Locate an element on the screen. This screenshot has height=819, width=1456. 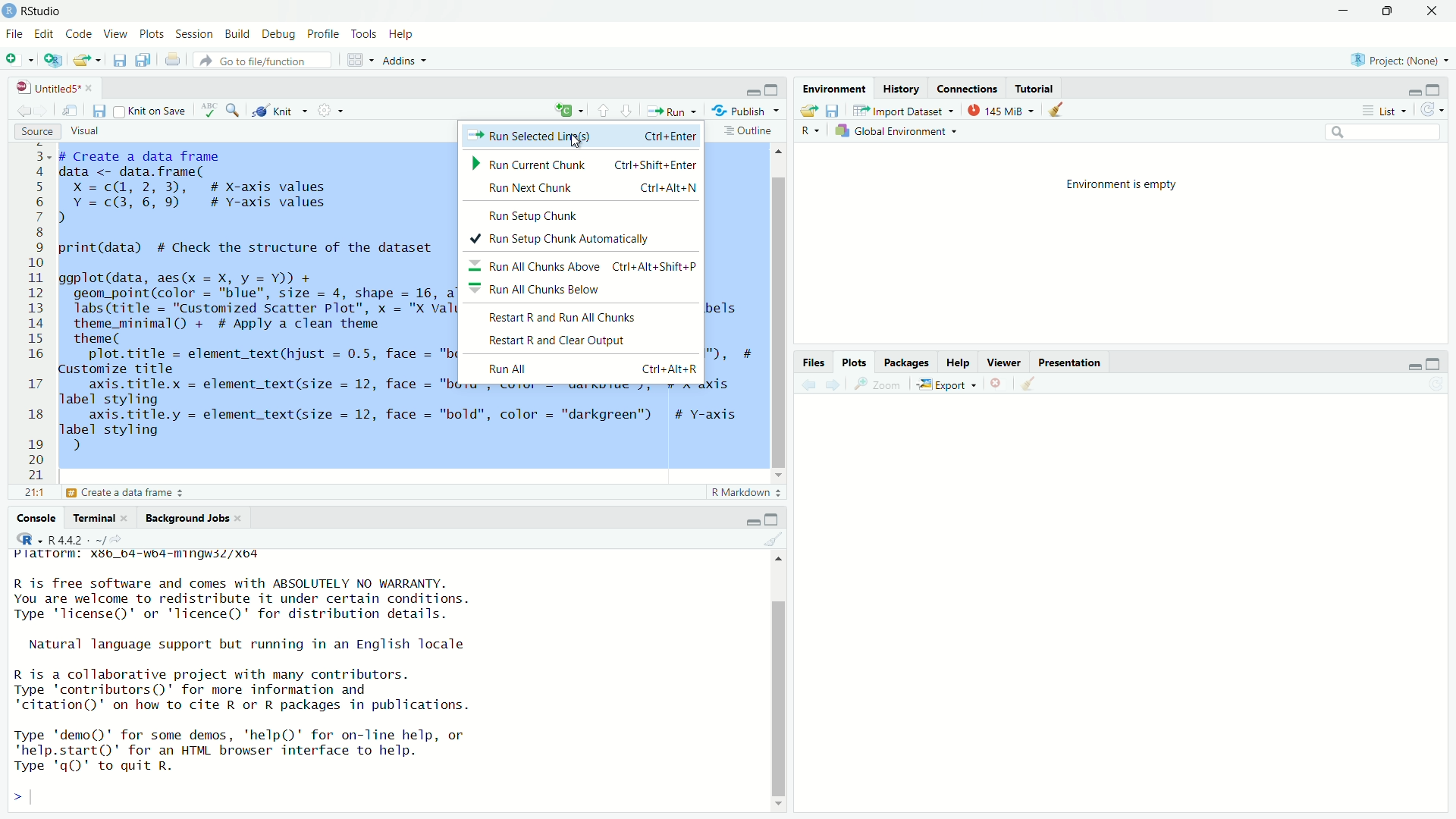
Environment is located at coordinates (834, 88).